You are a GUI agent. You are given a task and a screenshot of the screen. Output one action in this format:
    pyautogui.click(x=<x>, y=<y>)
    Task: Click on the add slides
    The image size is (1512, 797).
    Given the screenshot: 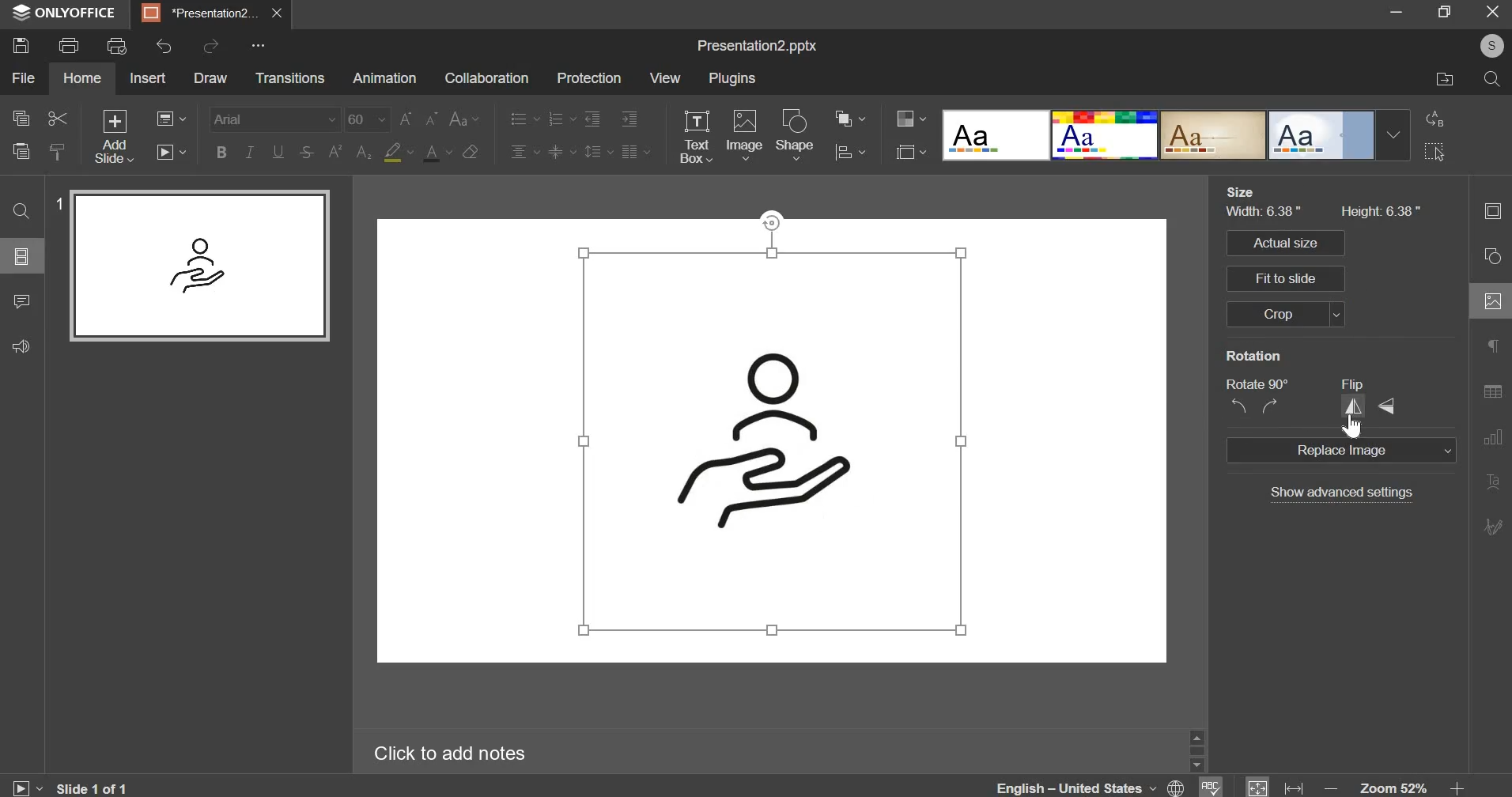 What is the action you would take?
    pyautogui.click(x=114, y=136)
    